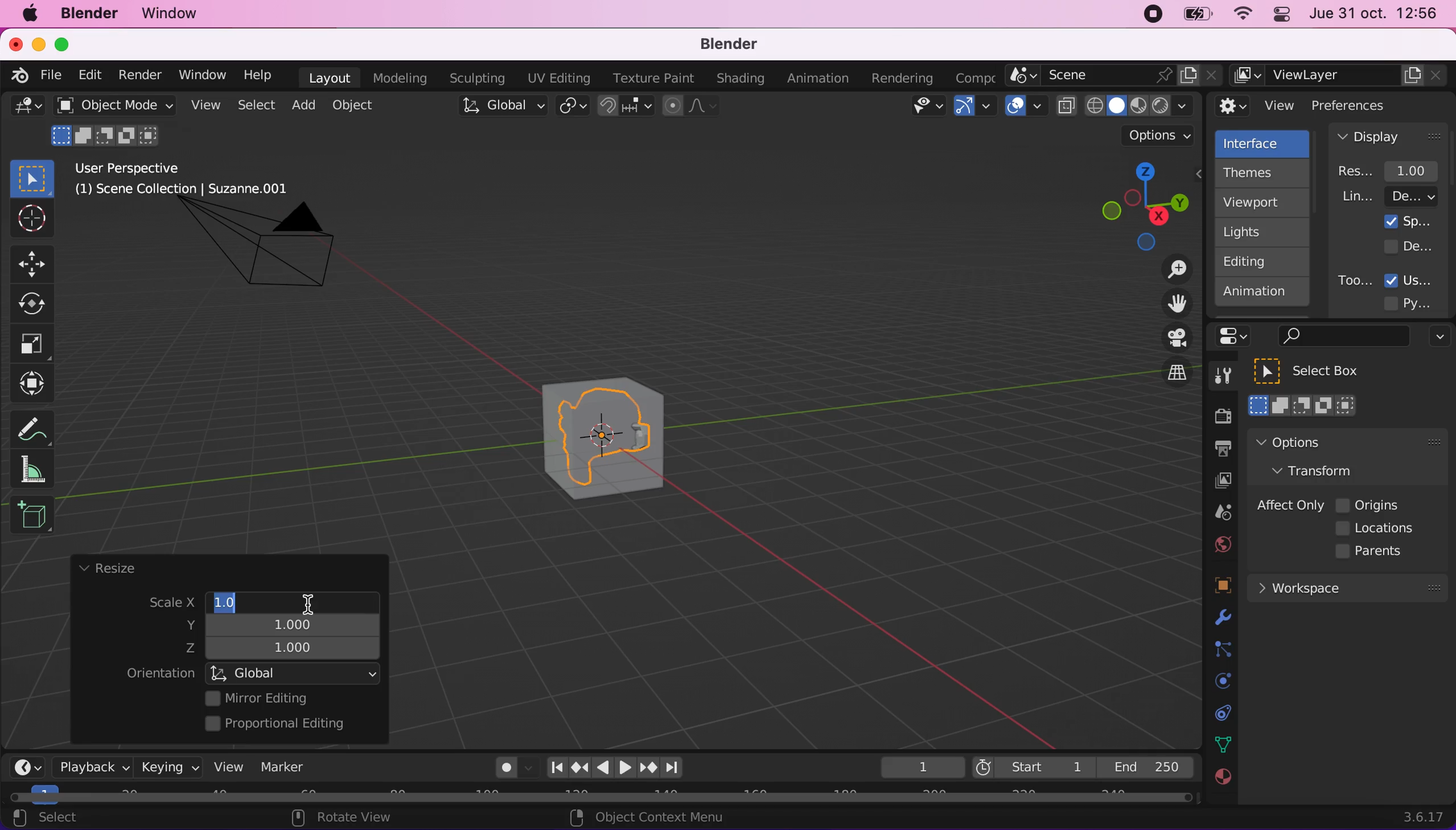 Image resolution: width=1456 pixels, height=830 pixels. Describe the element at coordinates (1237, 336) in the screenshot. I see `panel control` at that location.